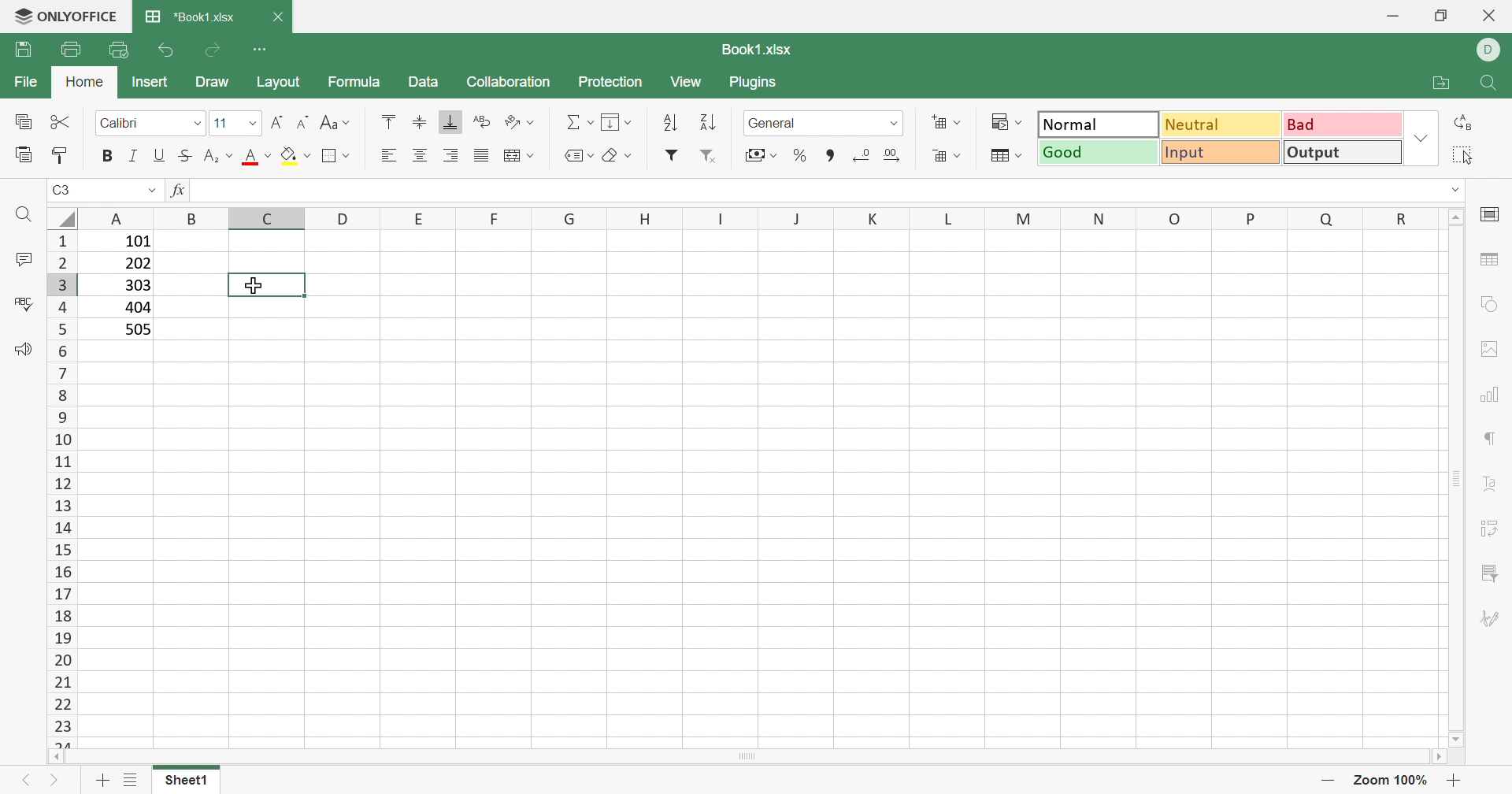 The image size is (1512, 794). Describe the element at coordinates (136, 307) in the screenshot. I see `404` at that location.